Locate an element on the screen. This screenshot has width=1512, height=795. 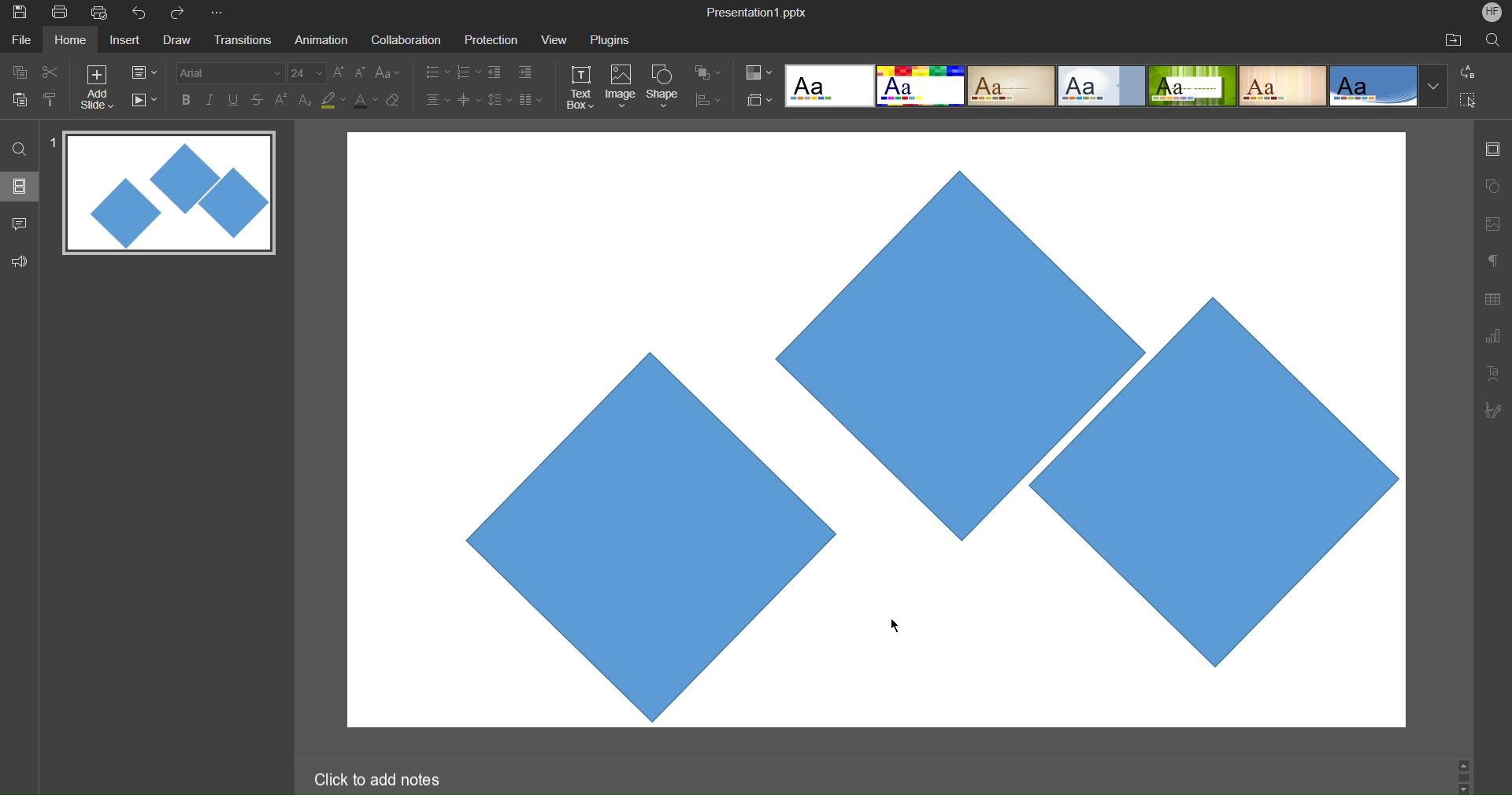
Slide Settings is located at coordinates (1491, 149).